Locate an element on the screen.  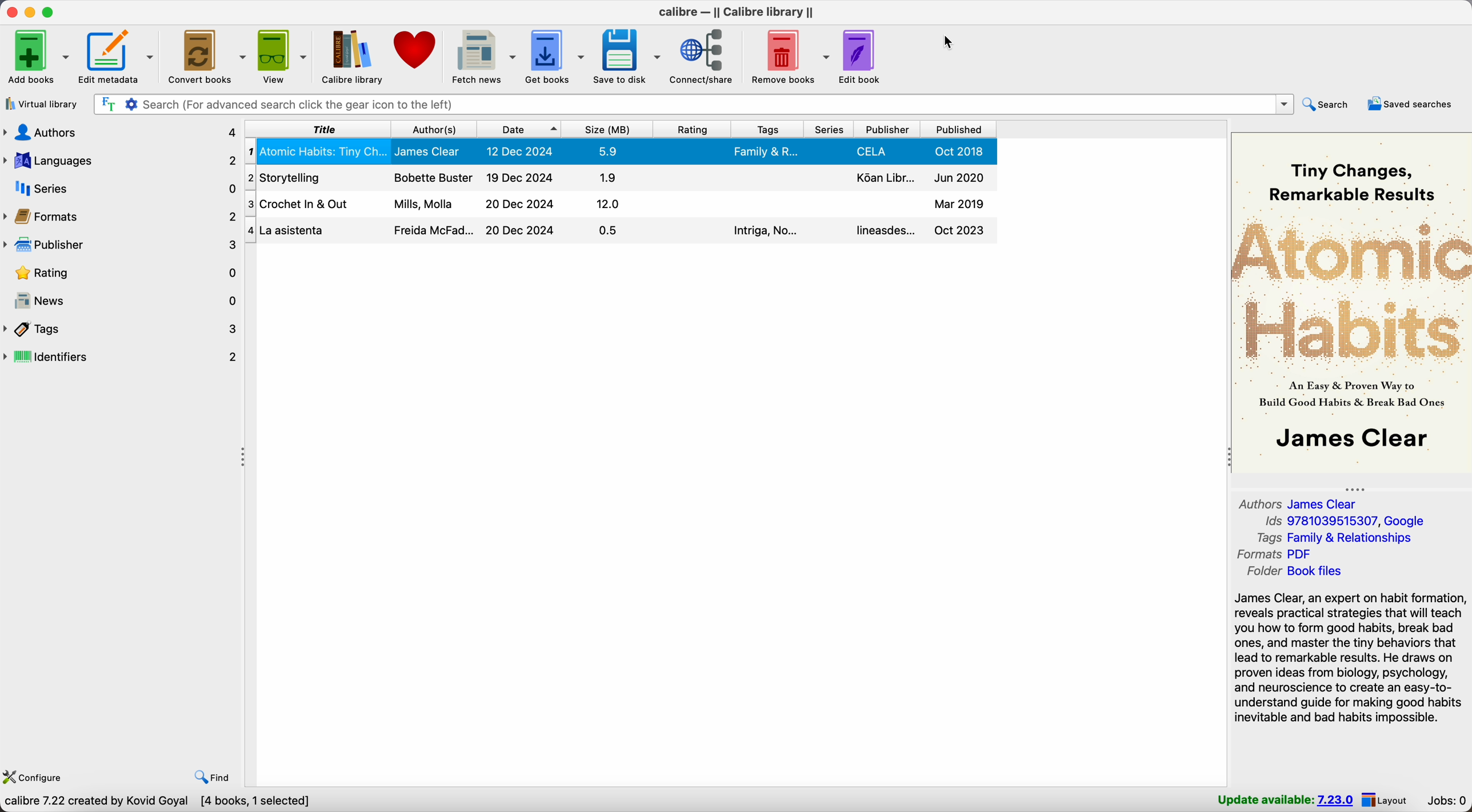
edit book is located at coordinates (862, 56).